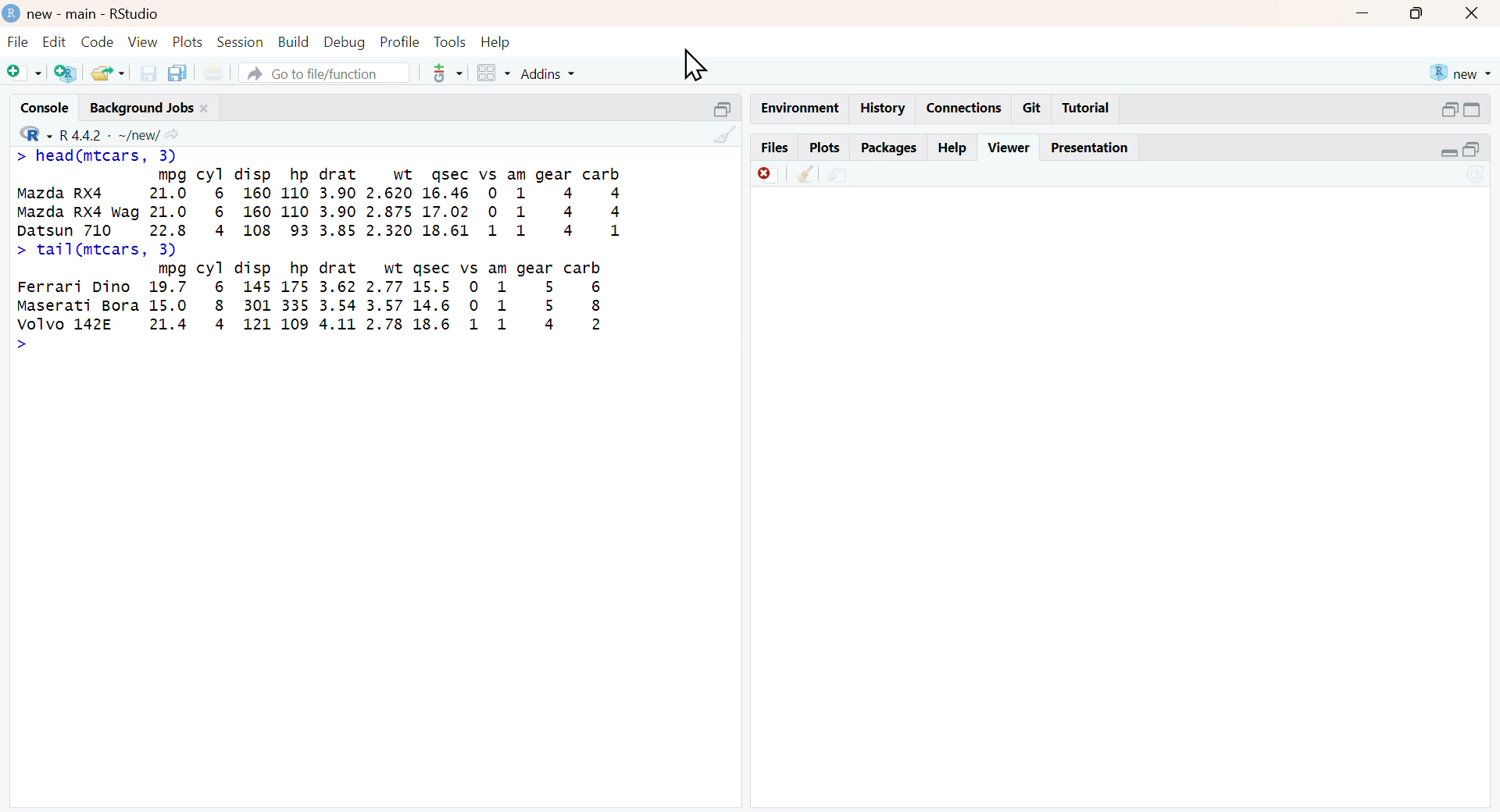 The image size is (1500, 812). What do you see at coordinates (102, 154) in the screenshot?
I see `> head(mtcars, 3)` at bounding box center [102, 154].